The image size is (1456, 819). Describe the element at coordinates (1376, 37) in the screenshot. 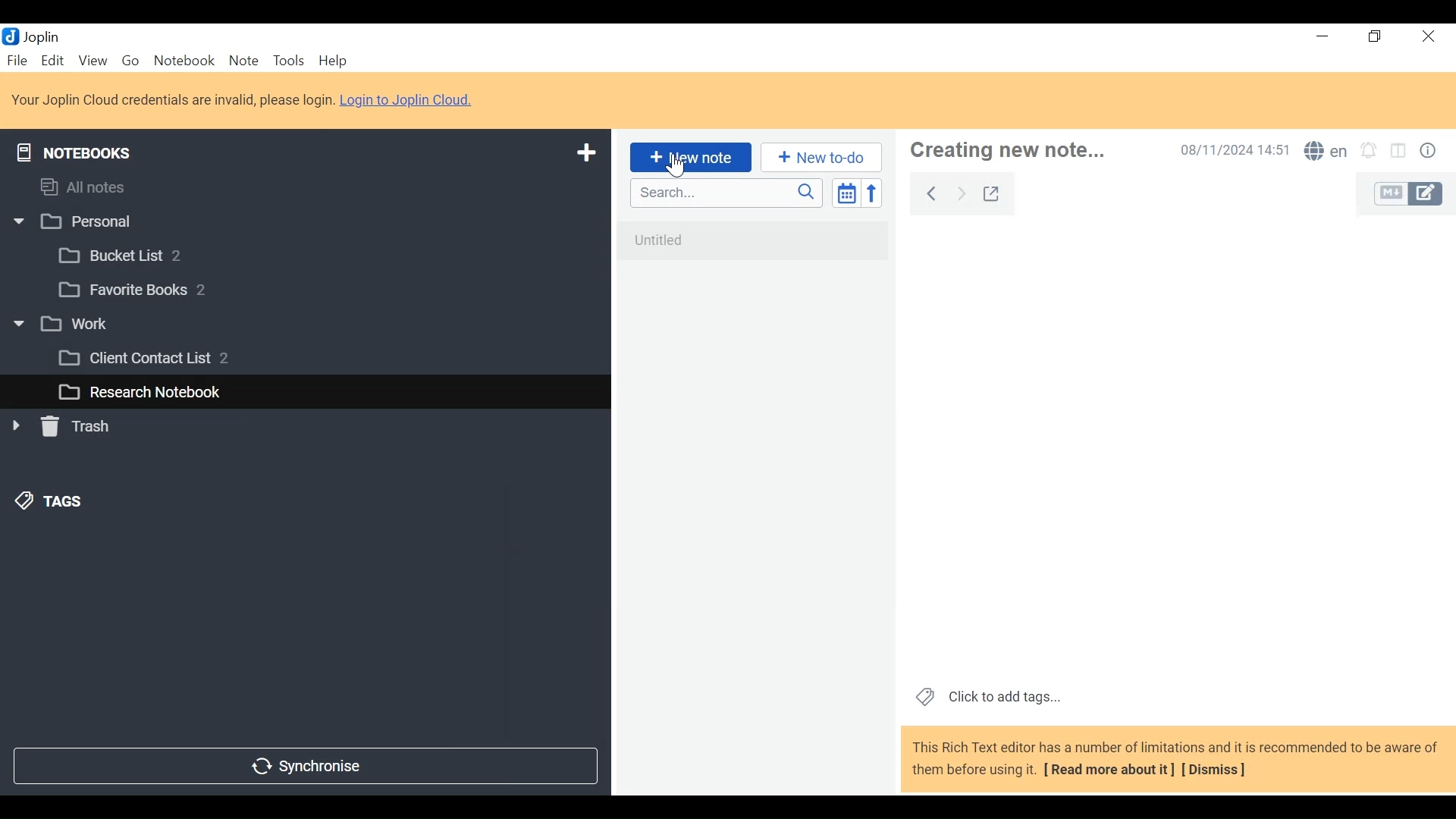

I see `Restore` at that location.